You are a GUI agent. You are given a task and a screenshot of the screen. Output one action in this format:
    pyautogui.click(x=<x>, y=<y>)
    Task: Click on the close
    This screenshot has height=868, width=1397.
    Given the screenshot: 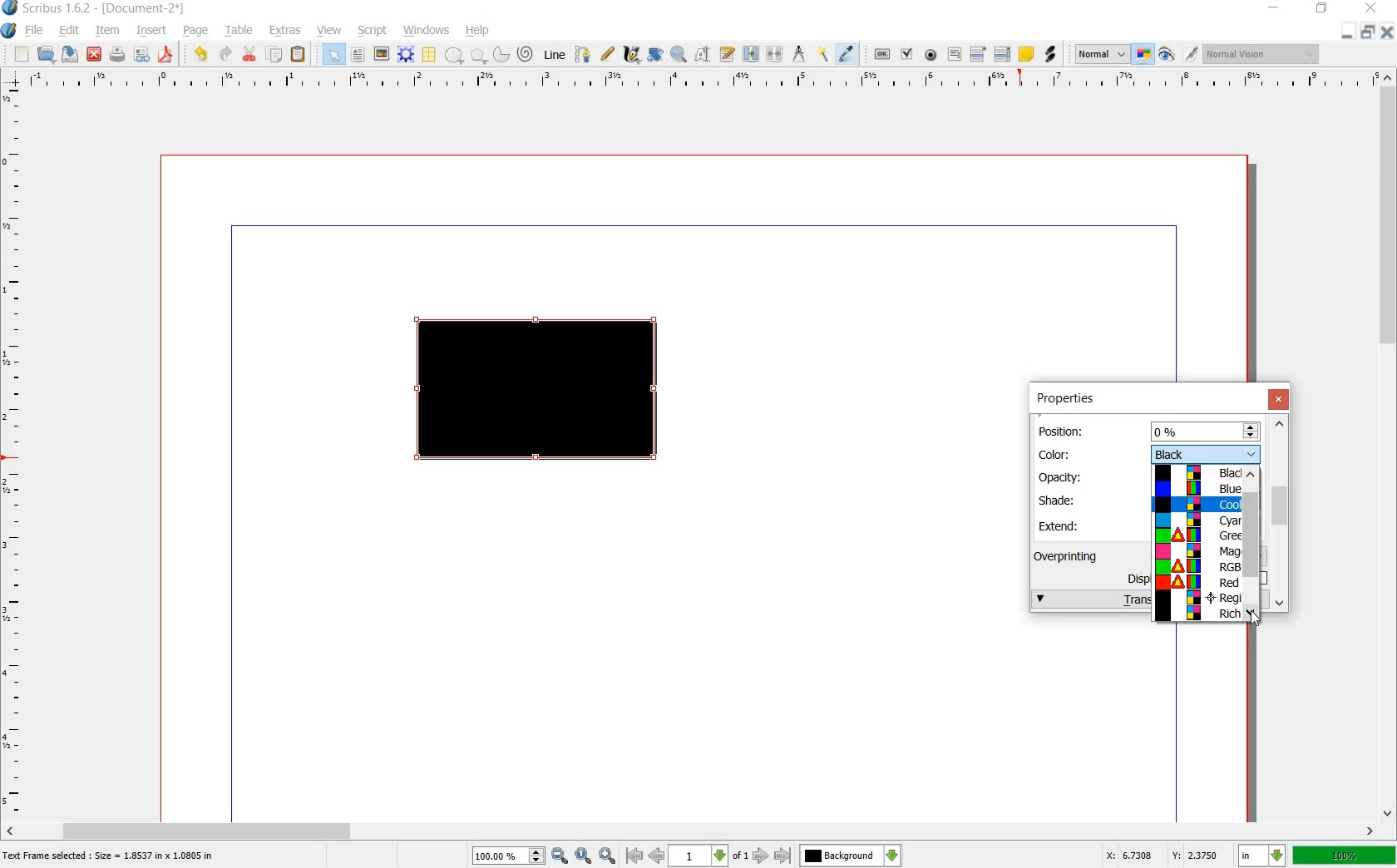 What is the action you would take?
    pyautogui.click(x=96, y=54)
    